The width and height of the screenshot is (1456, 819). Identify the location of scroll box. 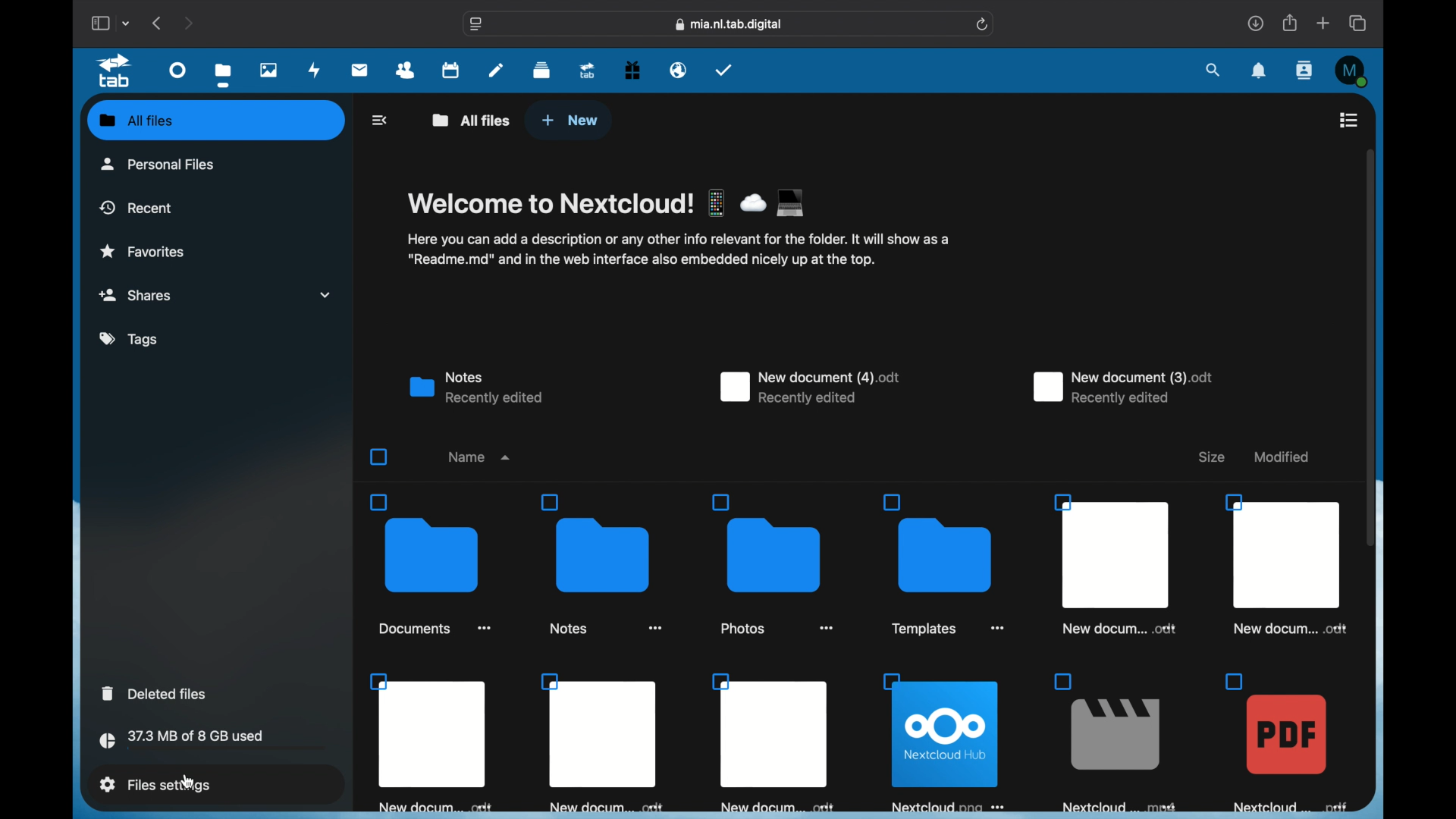
(1370, 347).